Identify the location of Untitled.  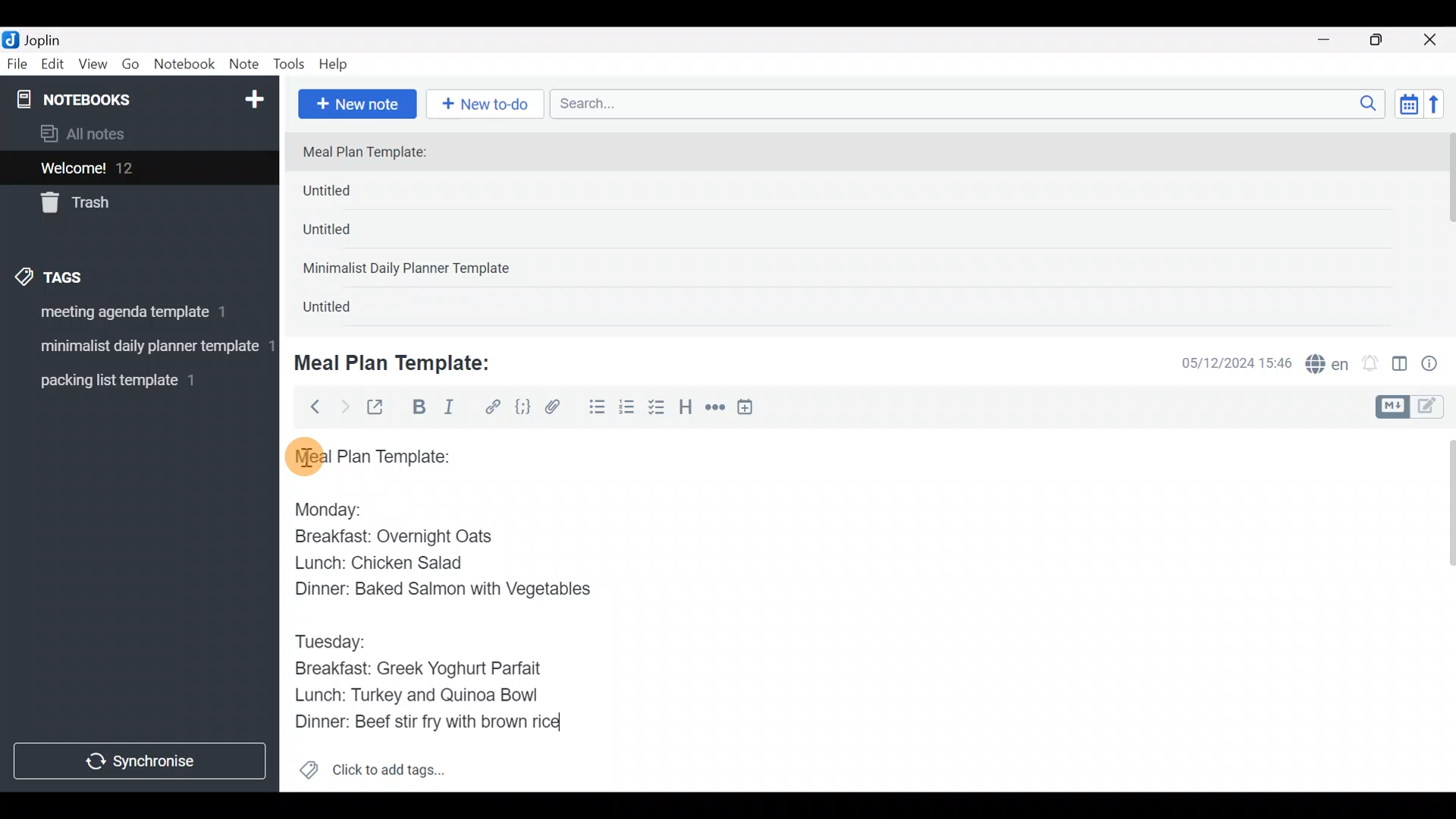
(344, 310).